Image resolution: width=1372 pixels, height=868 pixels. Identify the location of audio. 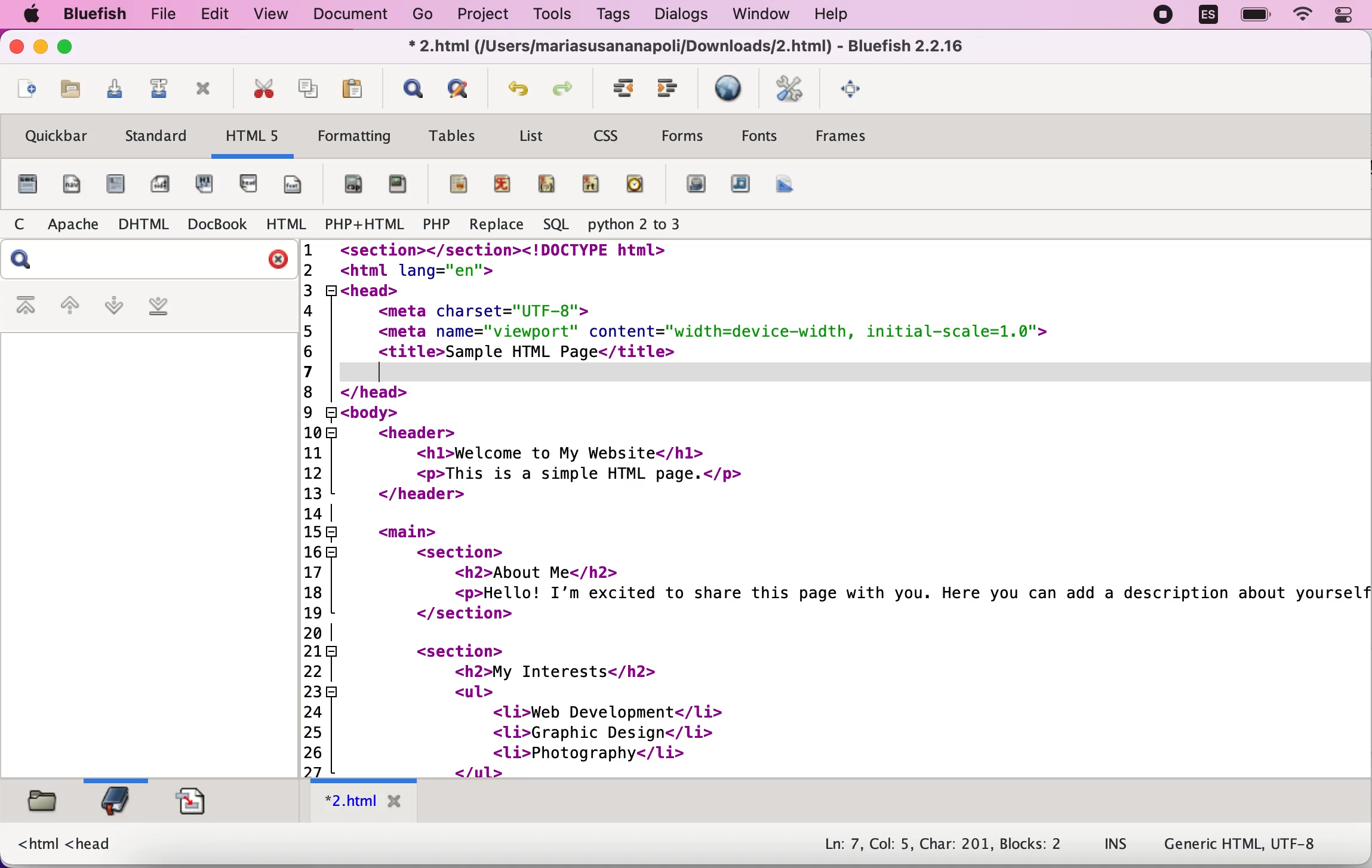
(741, 184).